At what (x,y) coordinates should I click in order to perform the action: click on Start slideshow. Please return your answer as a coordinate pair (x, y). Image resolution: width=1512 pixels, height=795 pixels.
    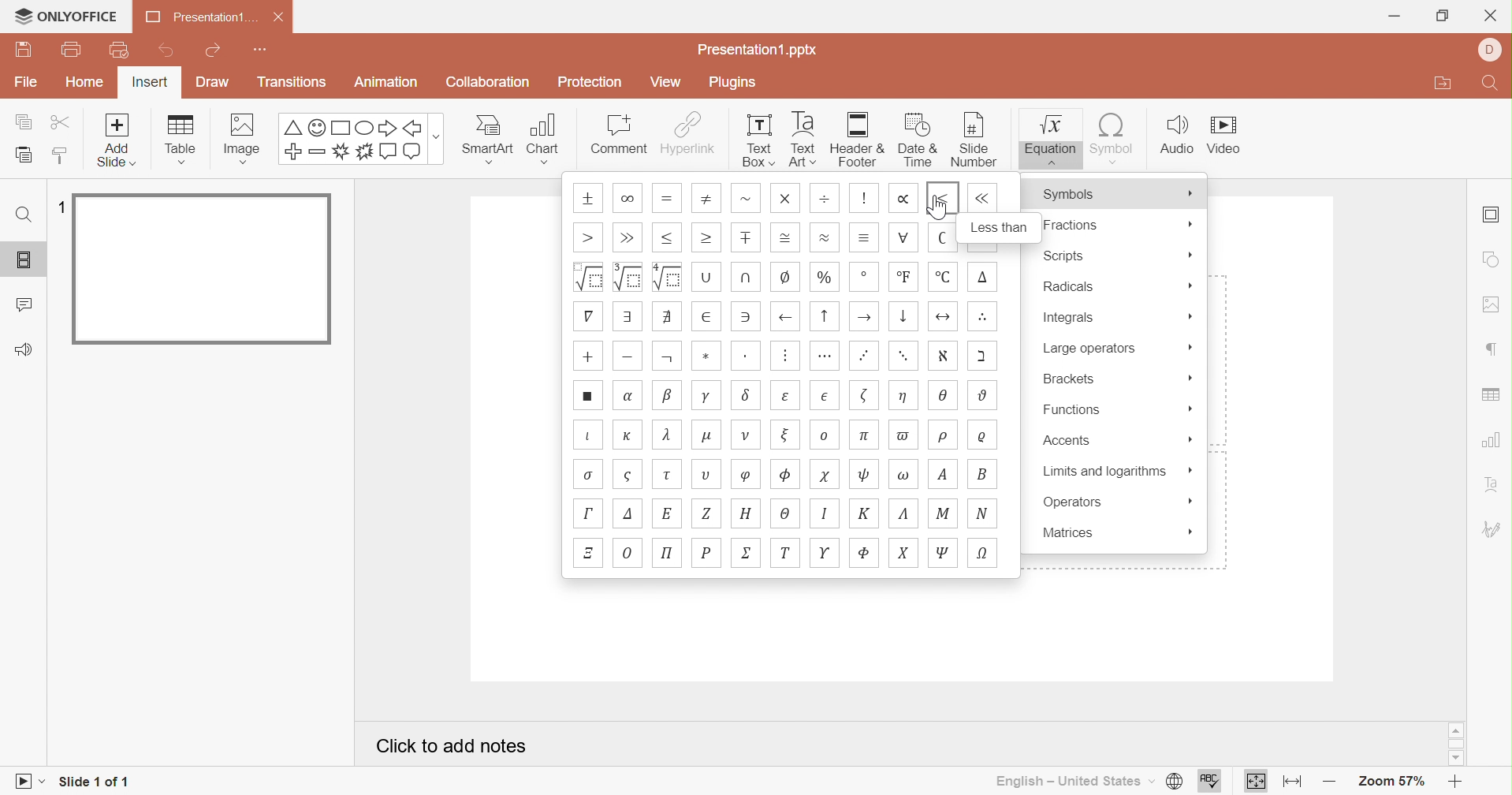
    Looking at the image, I should click on (28, 780).